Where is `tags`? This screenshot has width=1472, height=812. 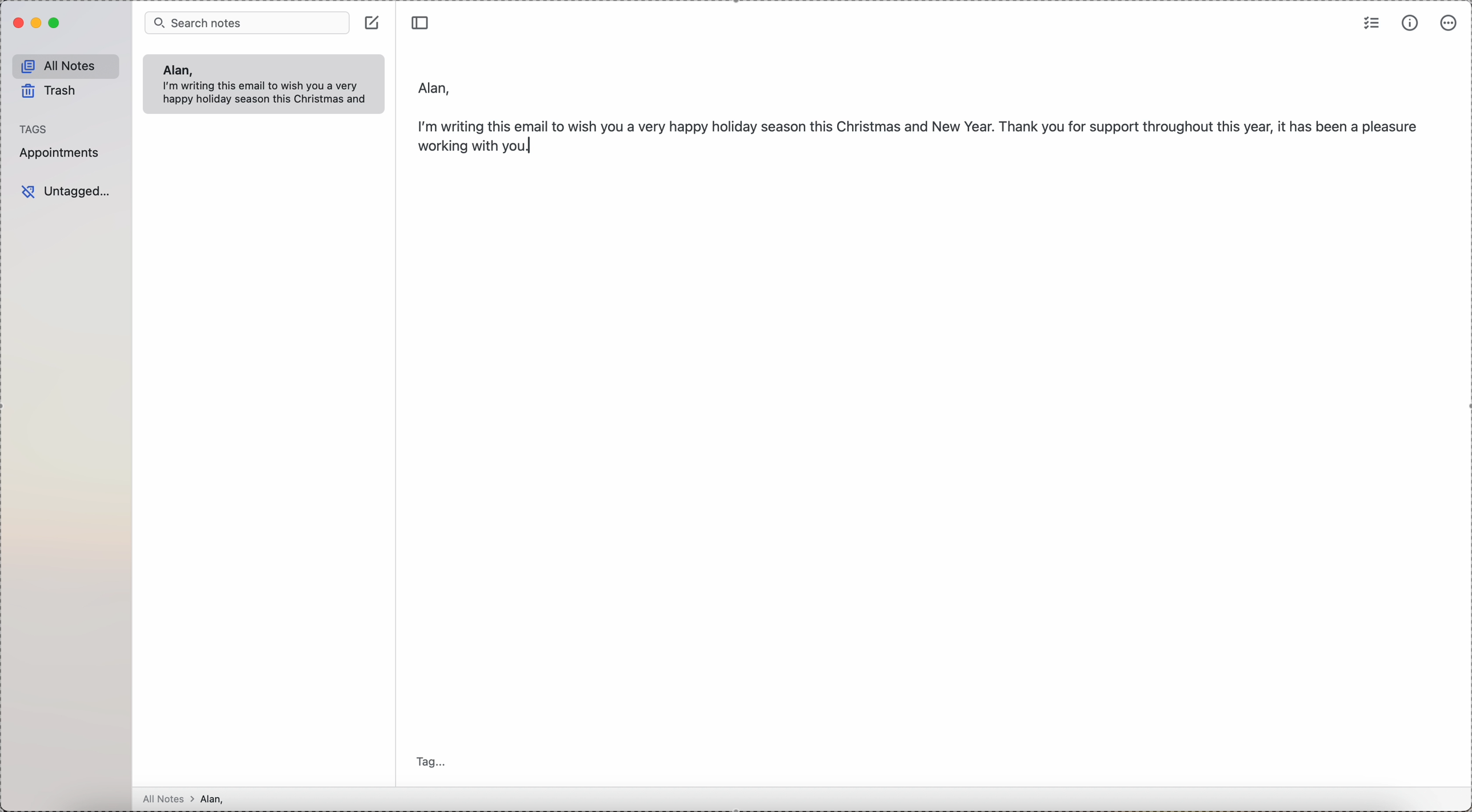
tags is located at coordinates (34, 129).